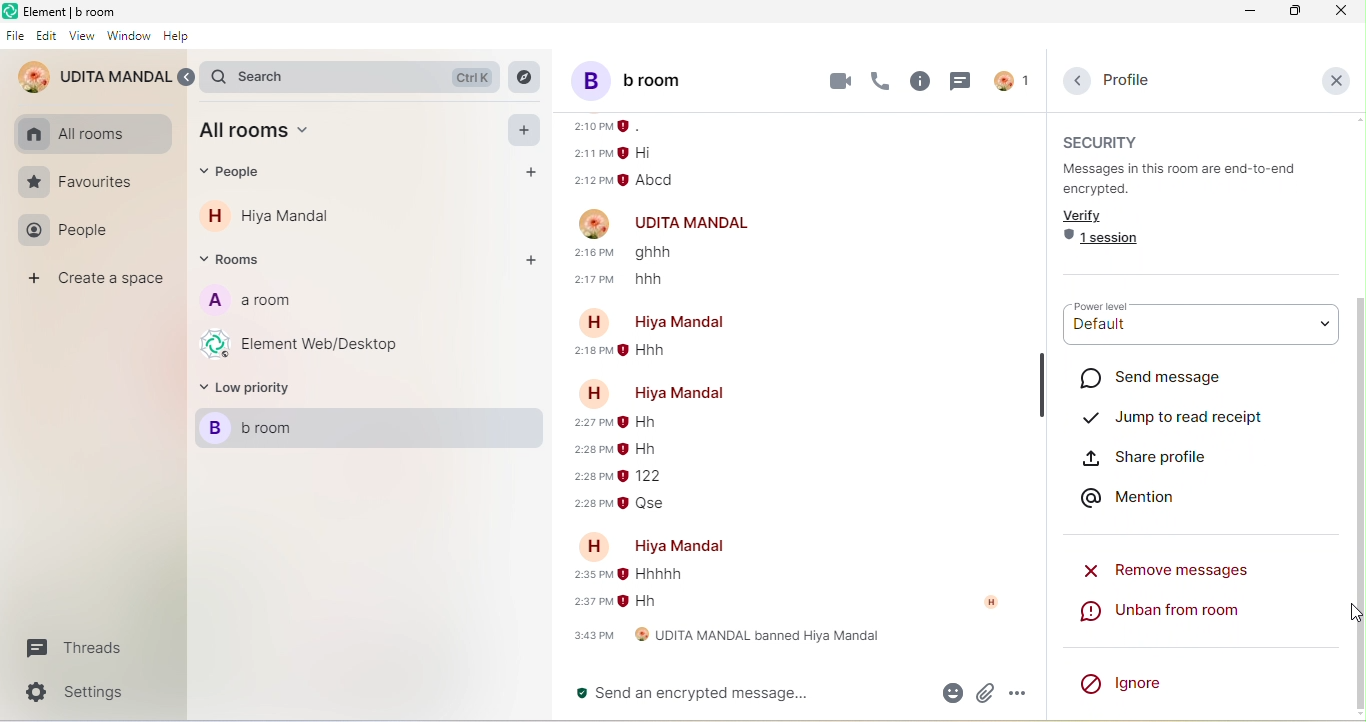  I want to click on minimize, so click(1248, 11).